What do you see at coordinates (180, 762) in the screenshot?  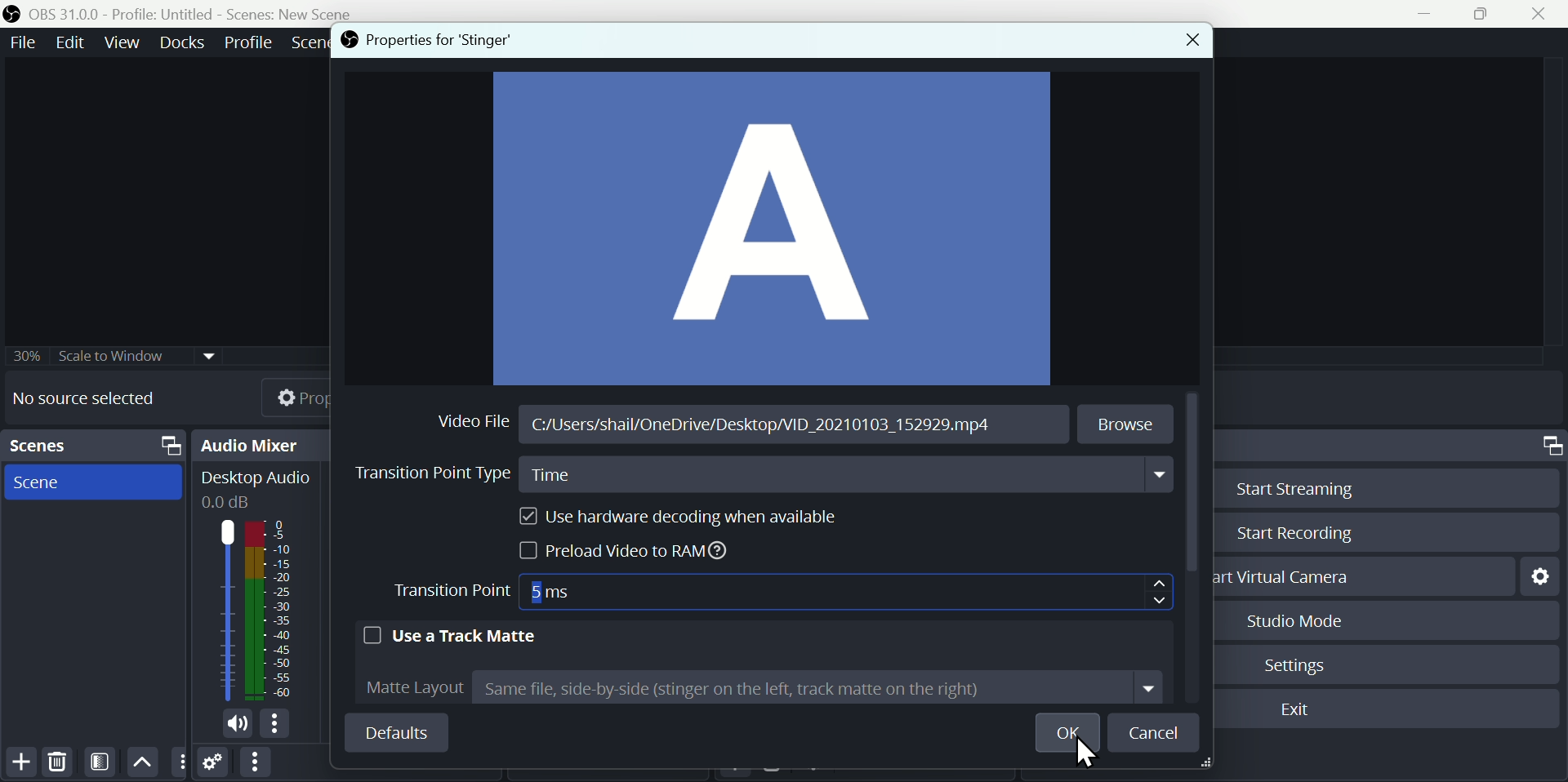 I see `more option` at bounding box center [180, 762].